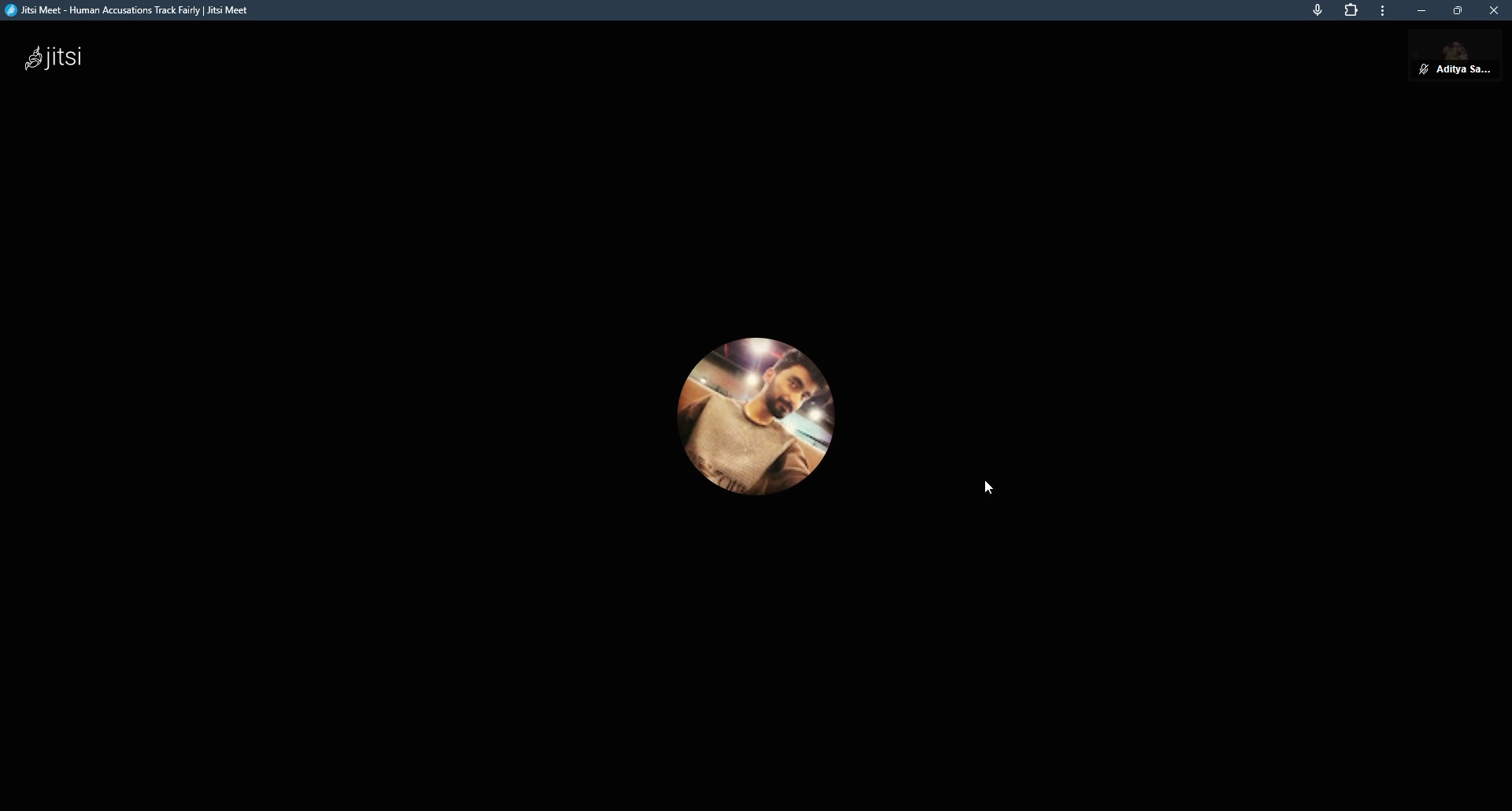 Image resolution: width=1512 pixels, height=811 pixels. Describe the element at coordinates (1467, 60) in the screenshot. I see `profile` at that location.